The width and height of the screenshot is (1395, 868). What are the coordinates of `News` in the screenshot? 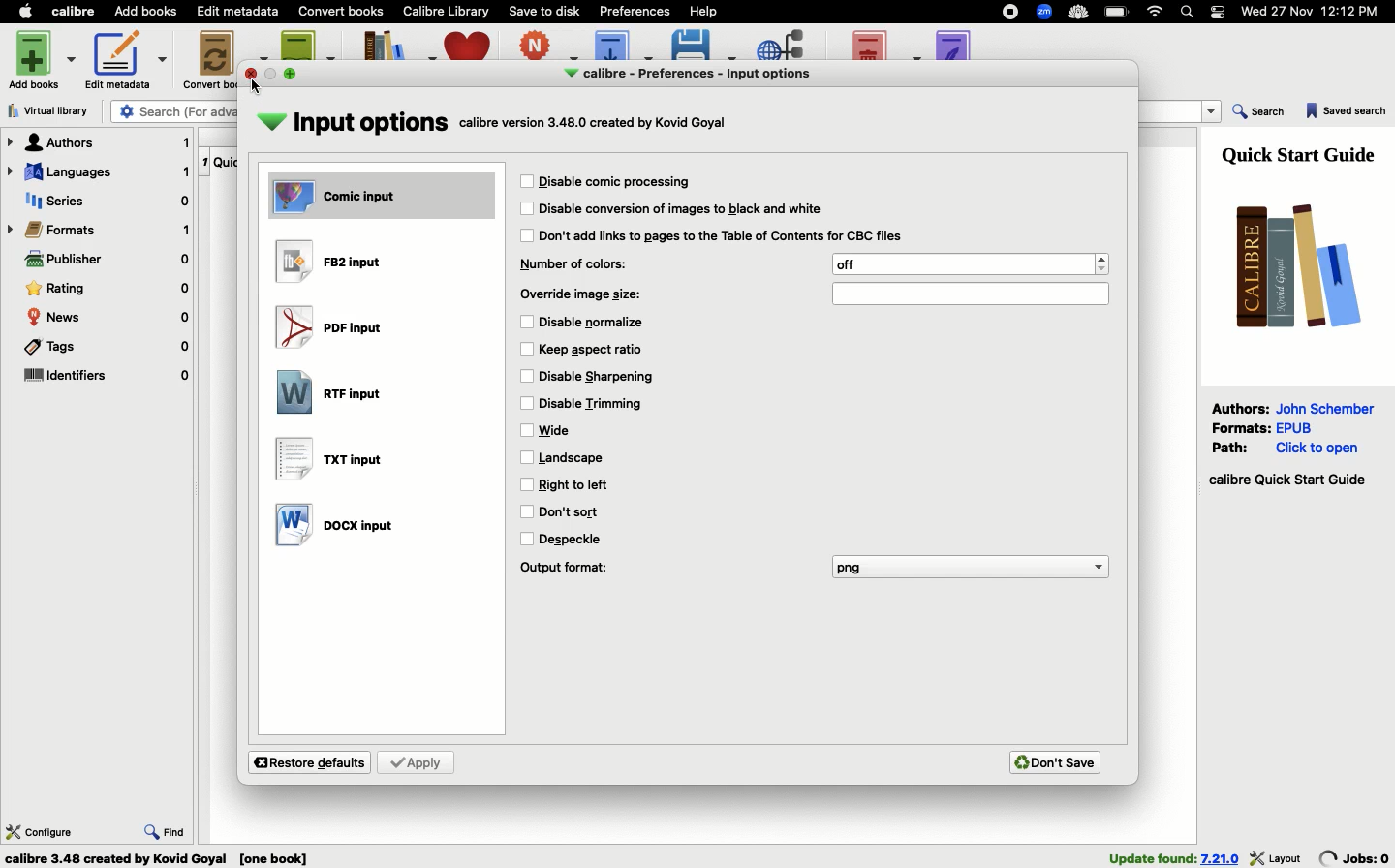 It's located at (108, 318).